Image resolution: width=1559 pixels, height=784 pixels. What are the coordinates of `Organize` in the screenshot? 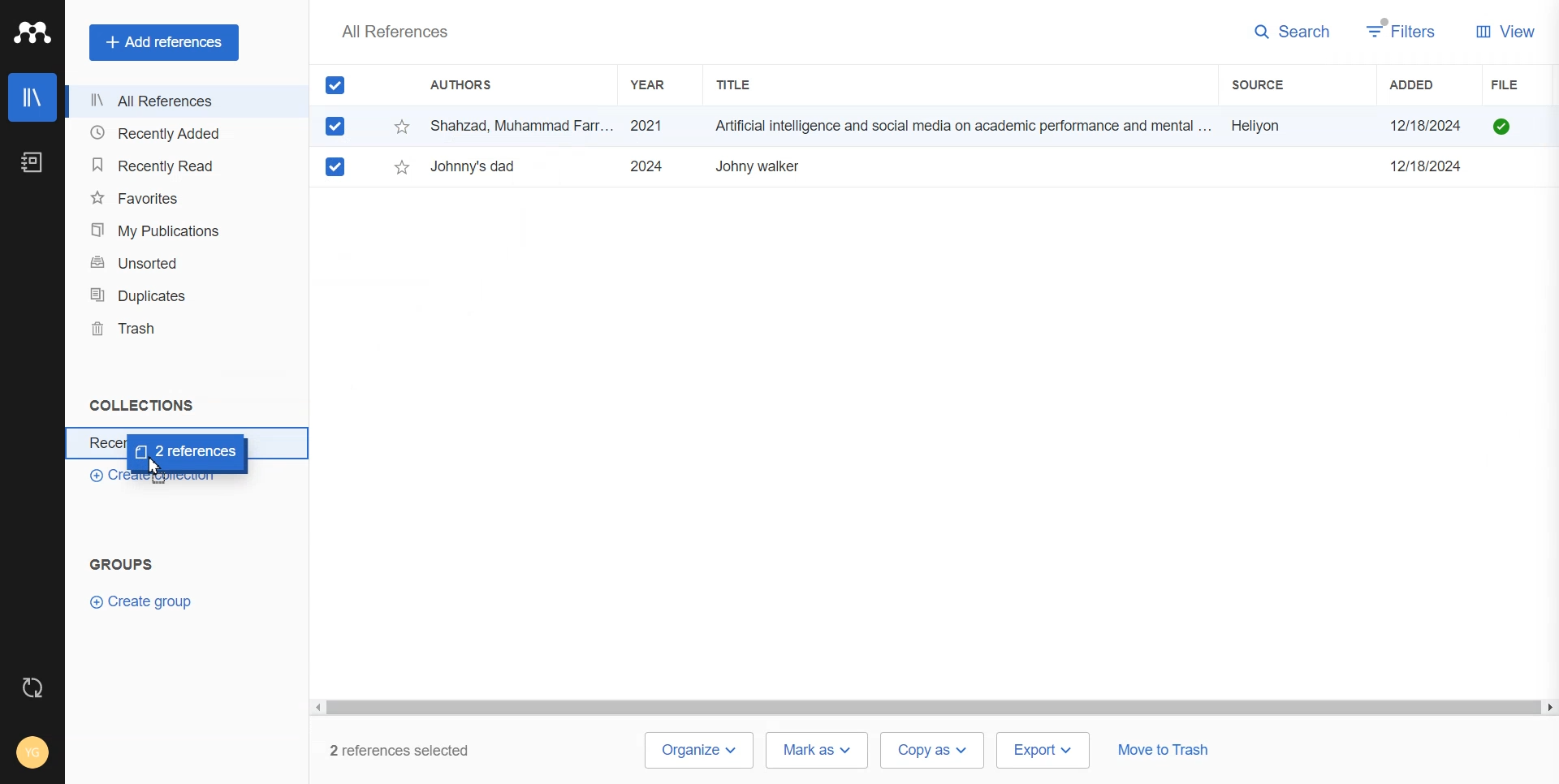 It's located at (697, 751).